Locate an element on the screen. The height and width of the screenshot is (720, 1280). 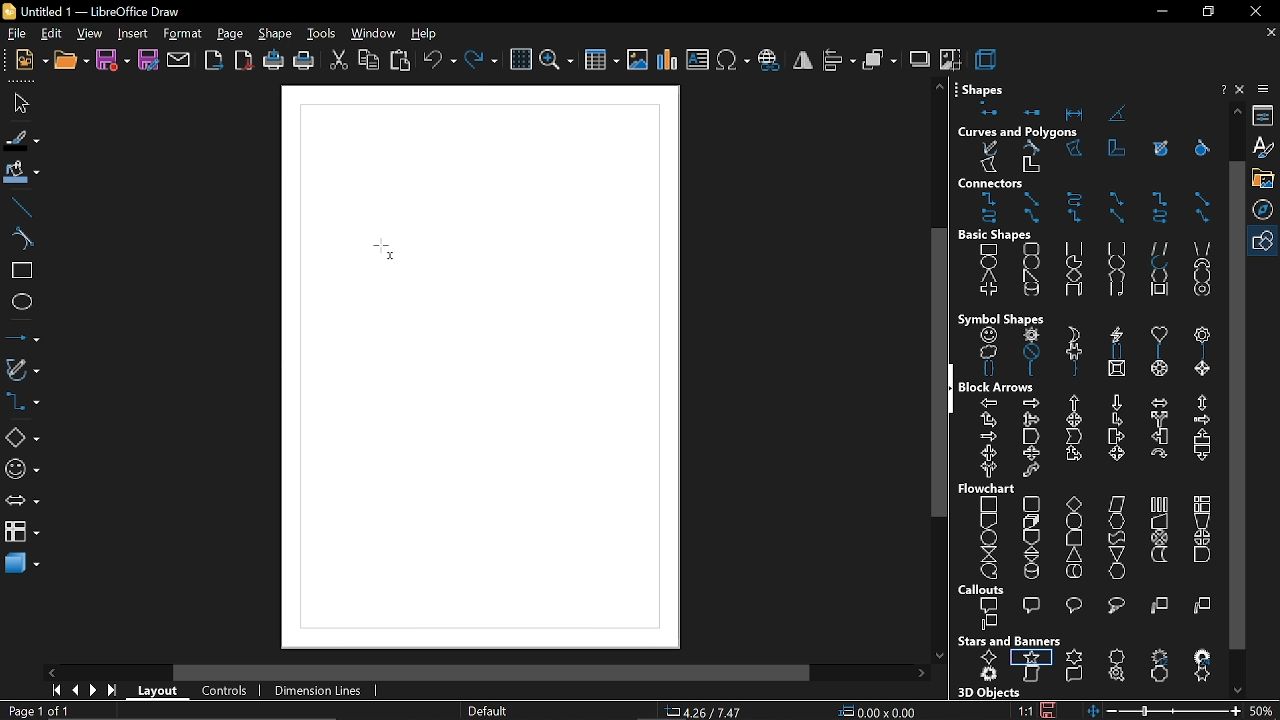
shapes is located at coordinates (984, 87).